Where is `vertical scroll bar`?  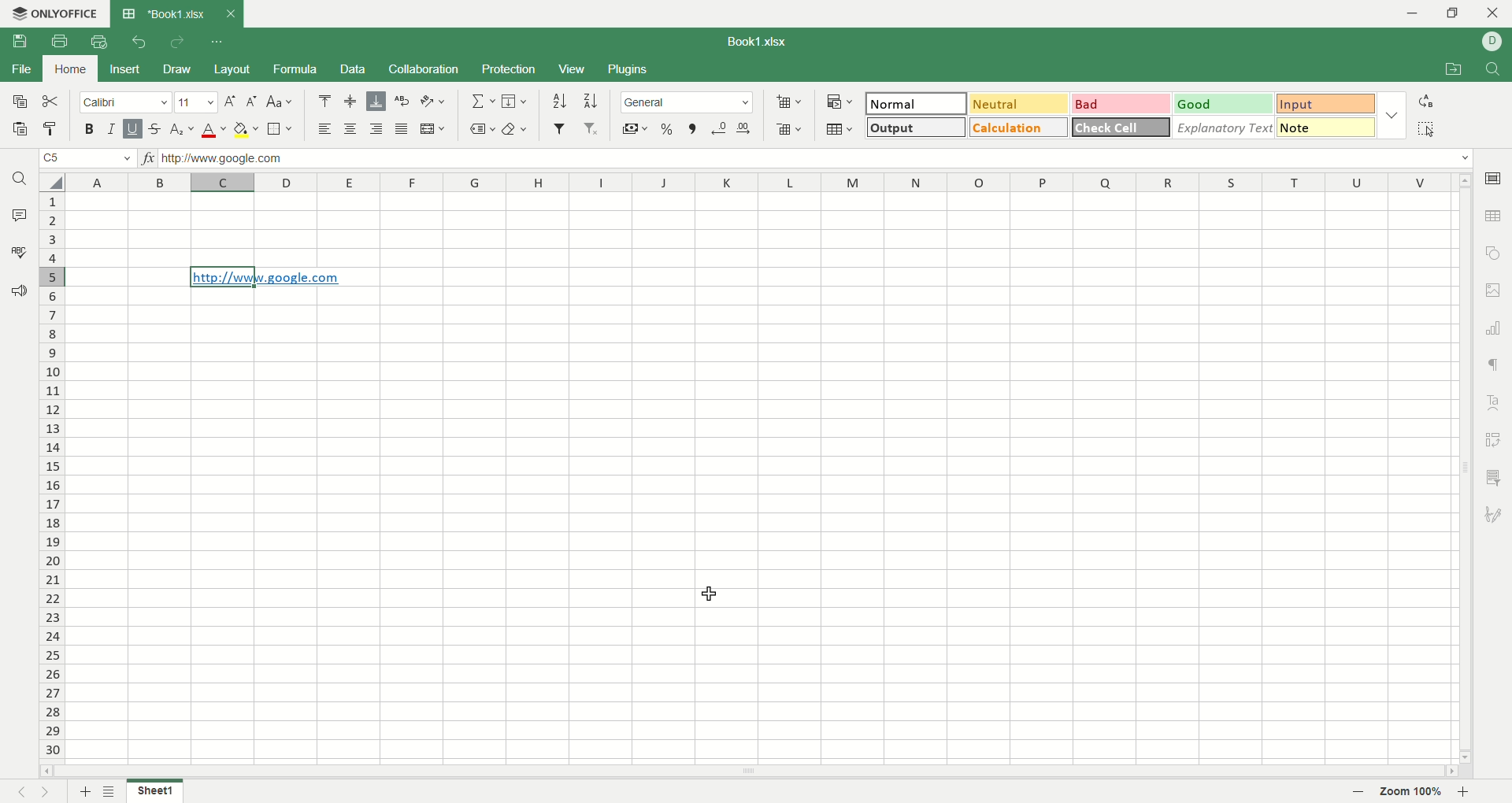 vertical scroll bar is located at coordinates (1461, 471).